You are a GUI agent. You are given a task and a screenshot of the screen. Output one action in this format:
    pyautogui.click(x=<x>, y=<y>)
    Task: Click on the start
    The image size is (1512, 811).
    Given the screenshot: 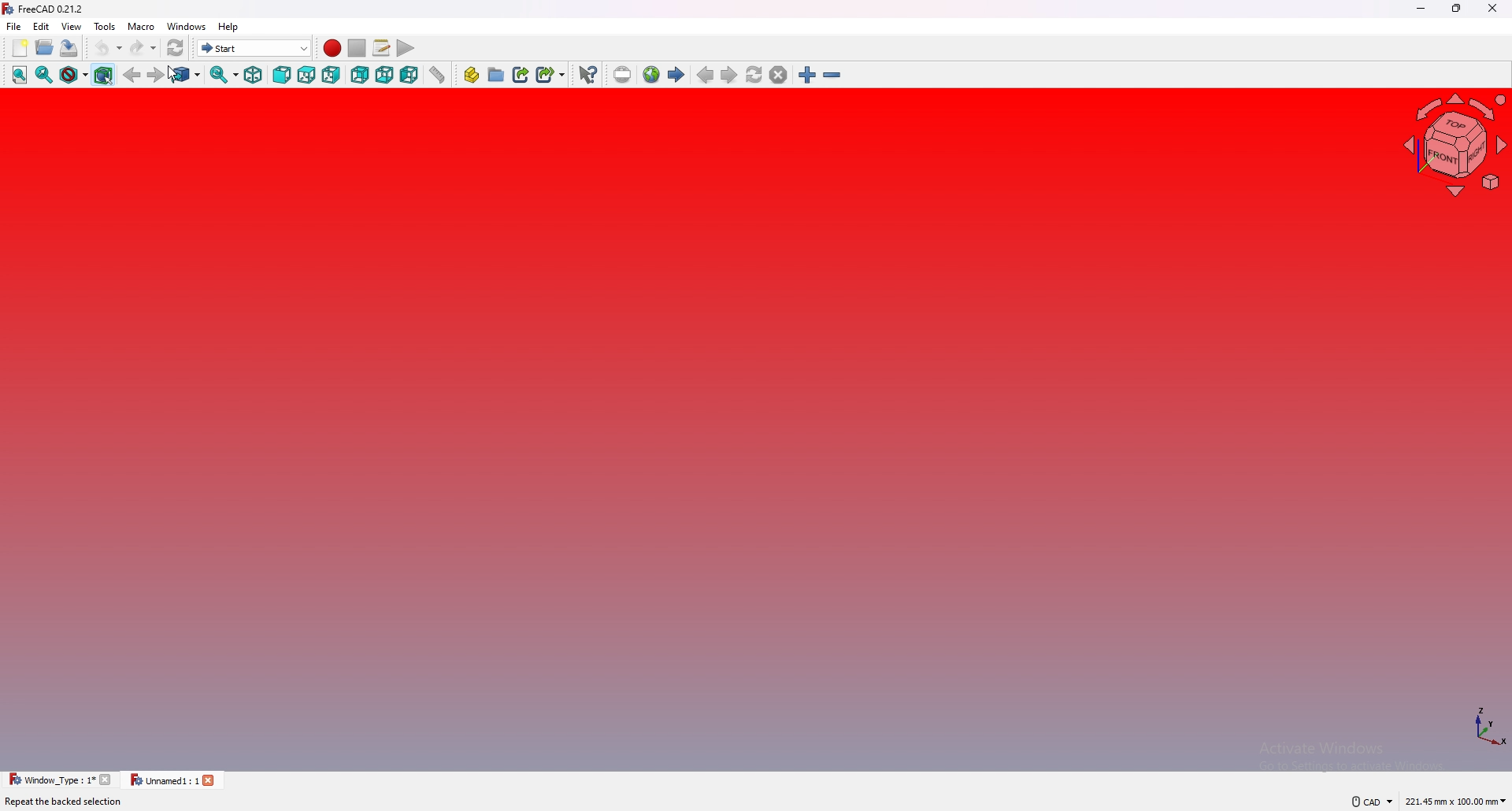 What is the action you would take?
    pyautogui.click(x=254, y=48)
    